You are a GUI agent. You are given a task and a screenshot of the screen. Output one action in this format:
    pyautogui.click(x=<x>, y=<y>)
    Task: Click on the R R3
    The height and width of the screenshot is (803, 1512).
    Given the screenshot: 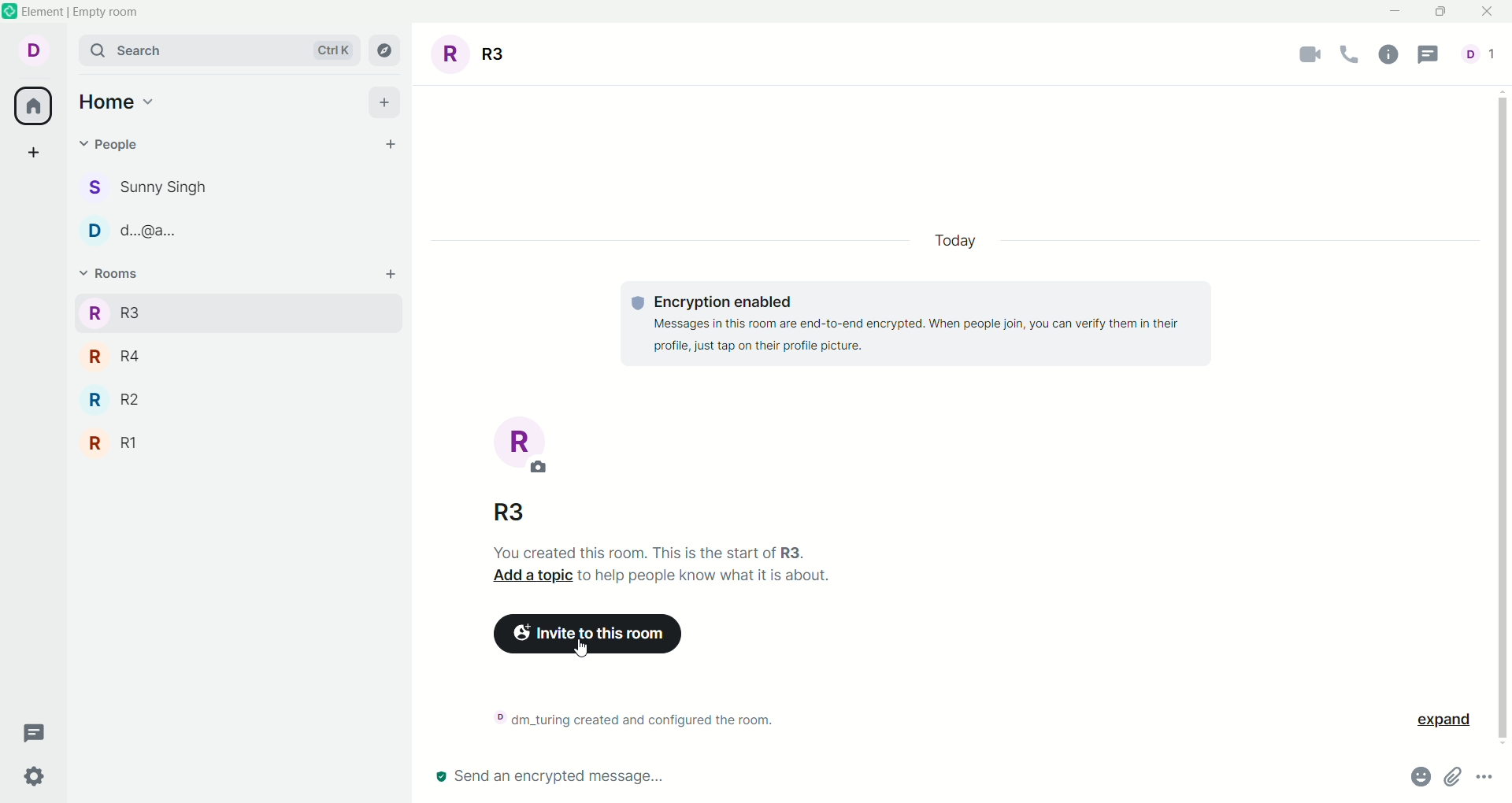 What is the action you would take?
    pyautogui.click(x=114, y=313)
    